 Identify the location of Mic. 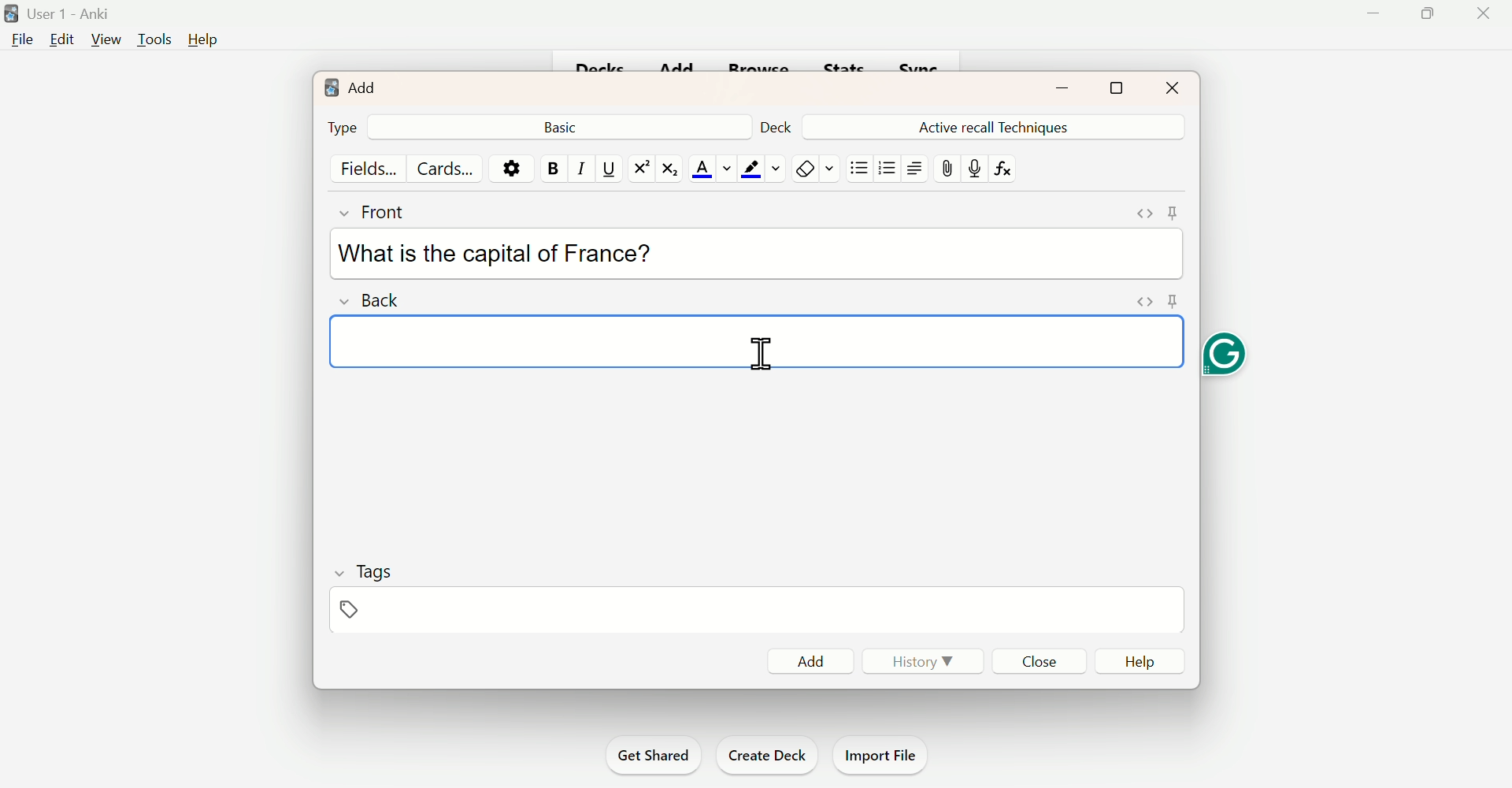
(976, 167).